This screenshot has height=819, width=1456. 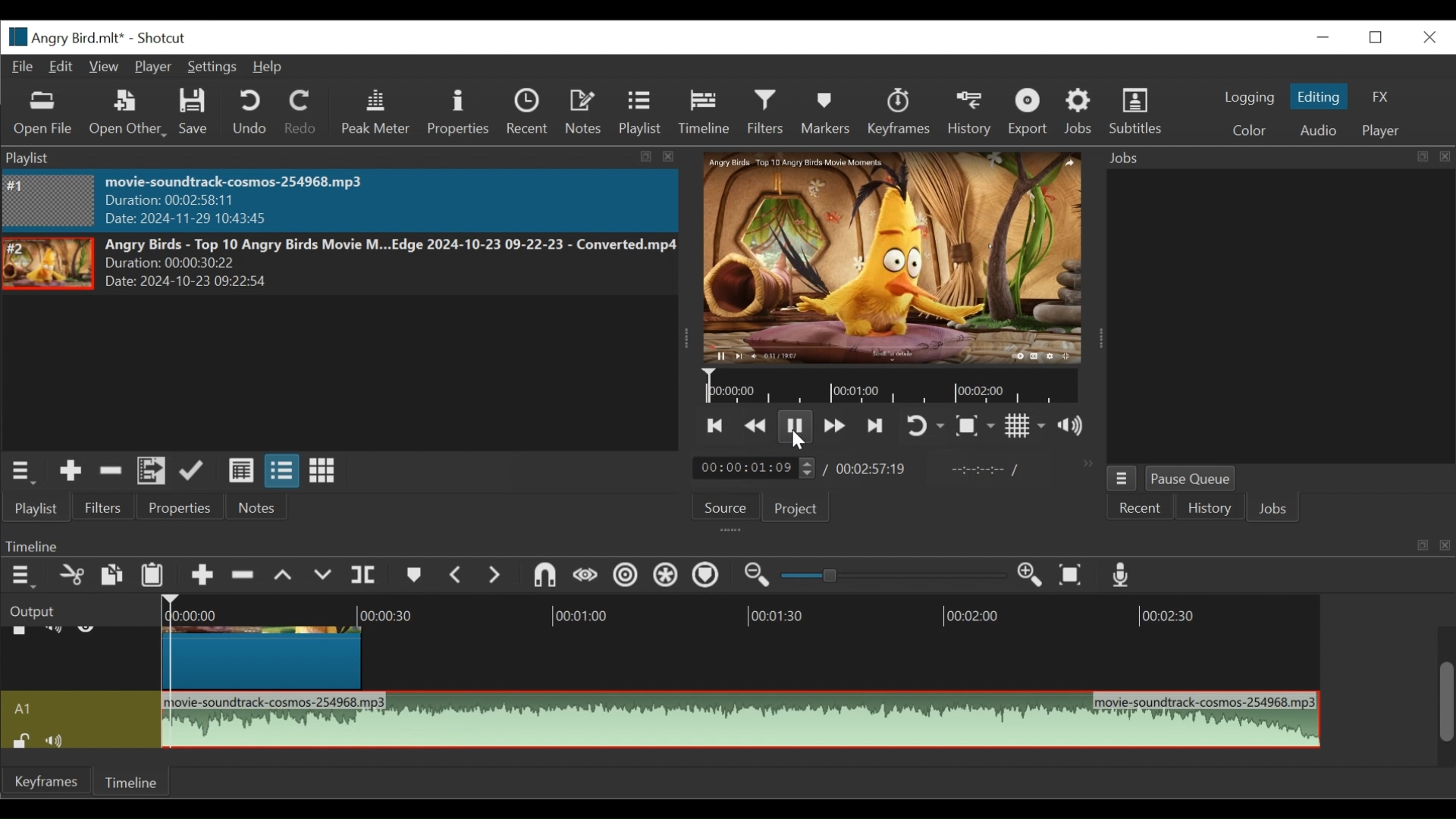 I want to click on Timeline menu, so click(x=22, y=577).